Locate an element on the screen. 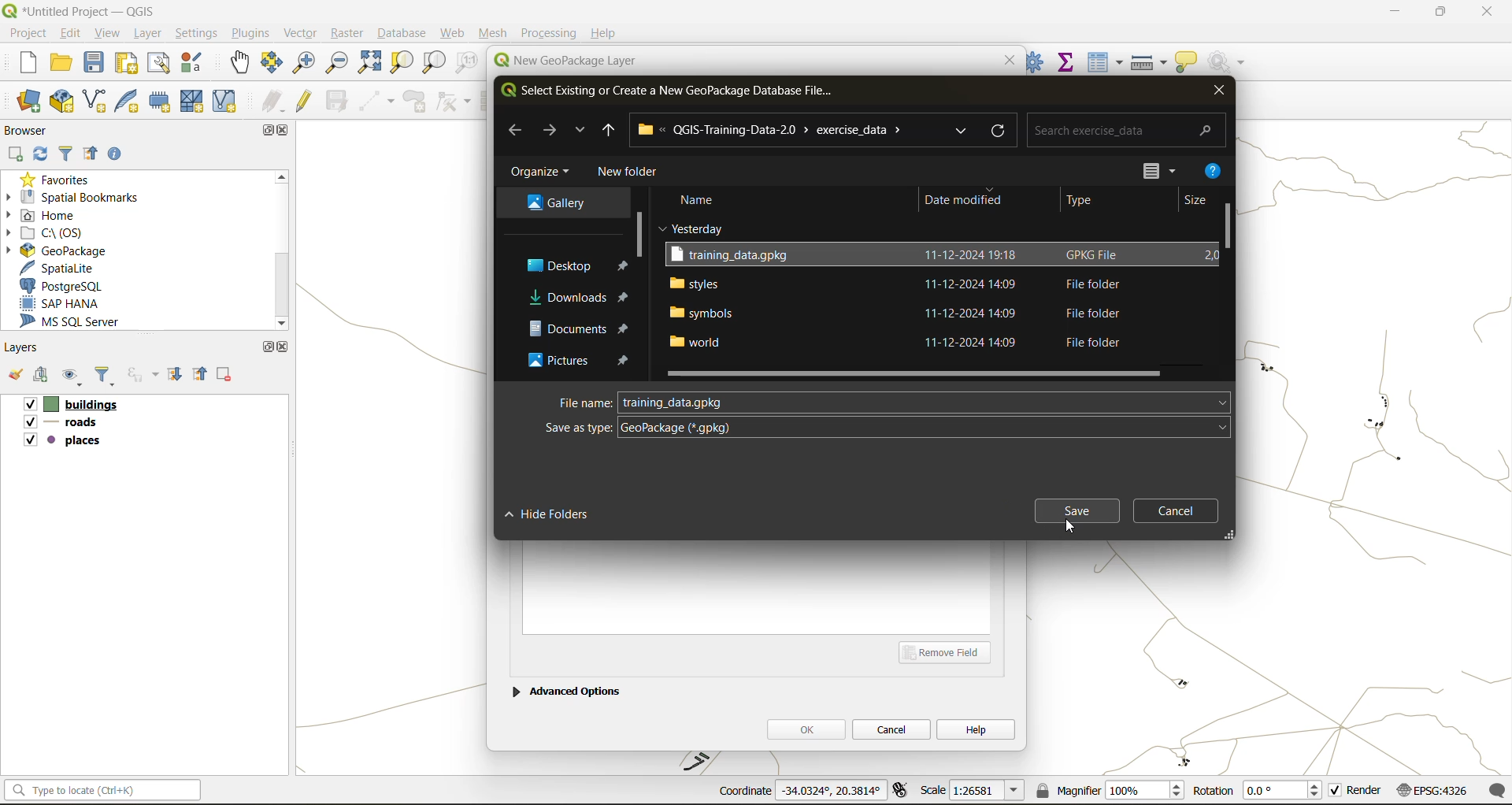  no action is located at coordinates (1228, 59).